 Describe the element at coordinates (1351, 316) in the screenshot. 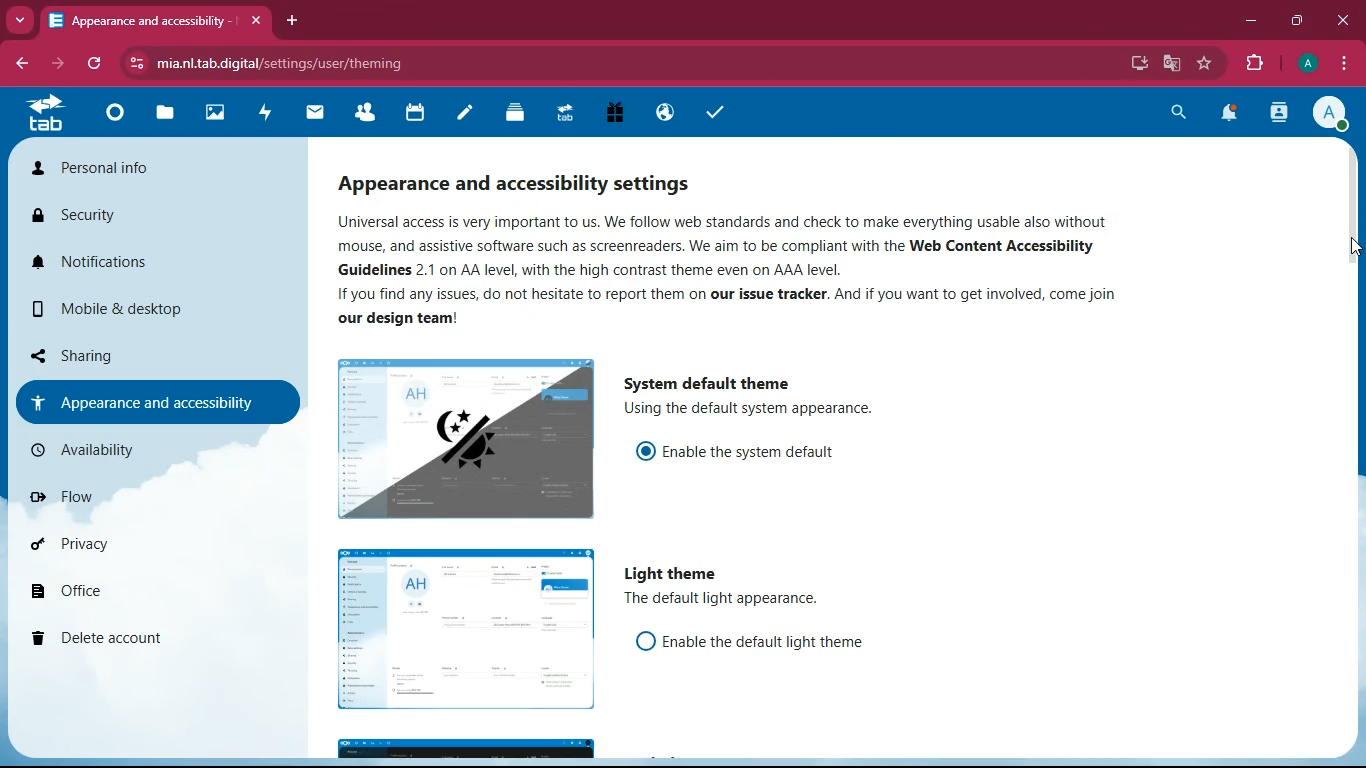

I see `scroll bar` at that location.